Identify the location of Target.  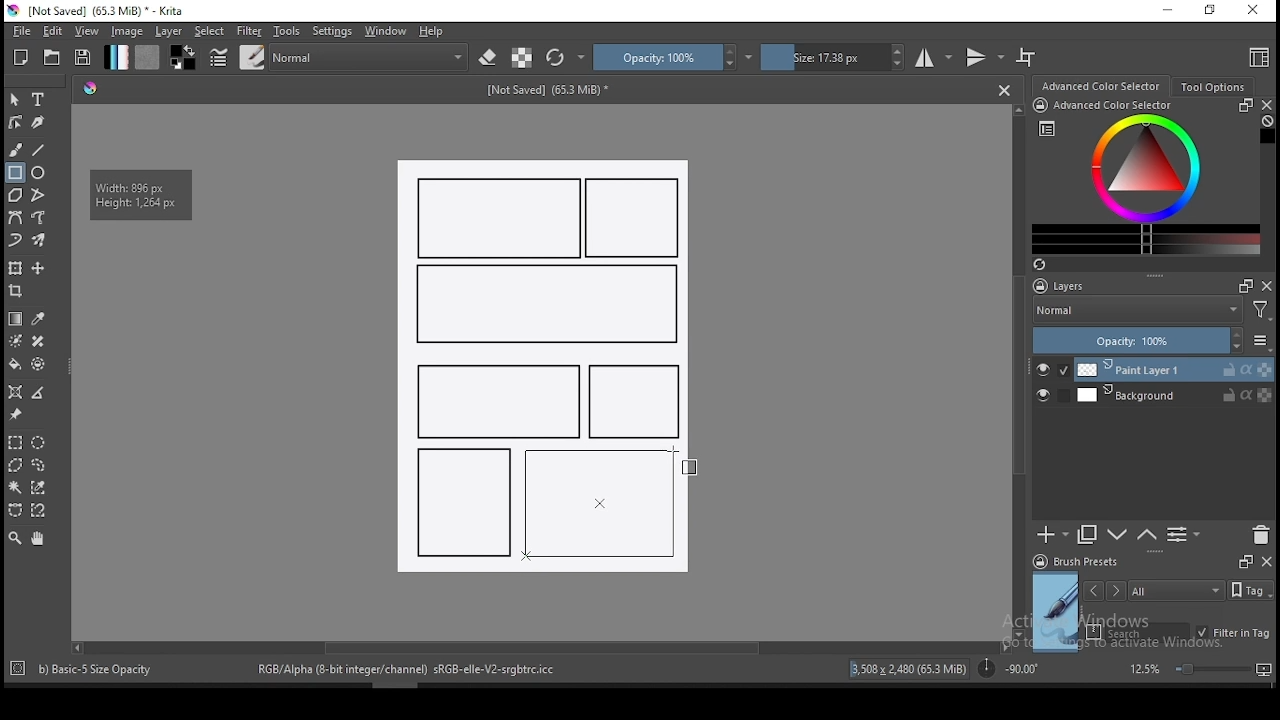
(19, 669).